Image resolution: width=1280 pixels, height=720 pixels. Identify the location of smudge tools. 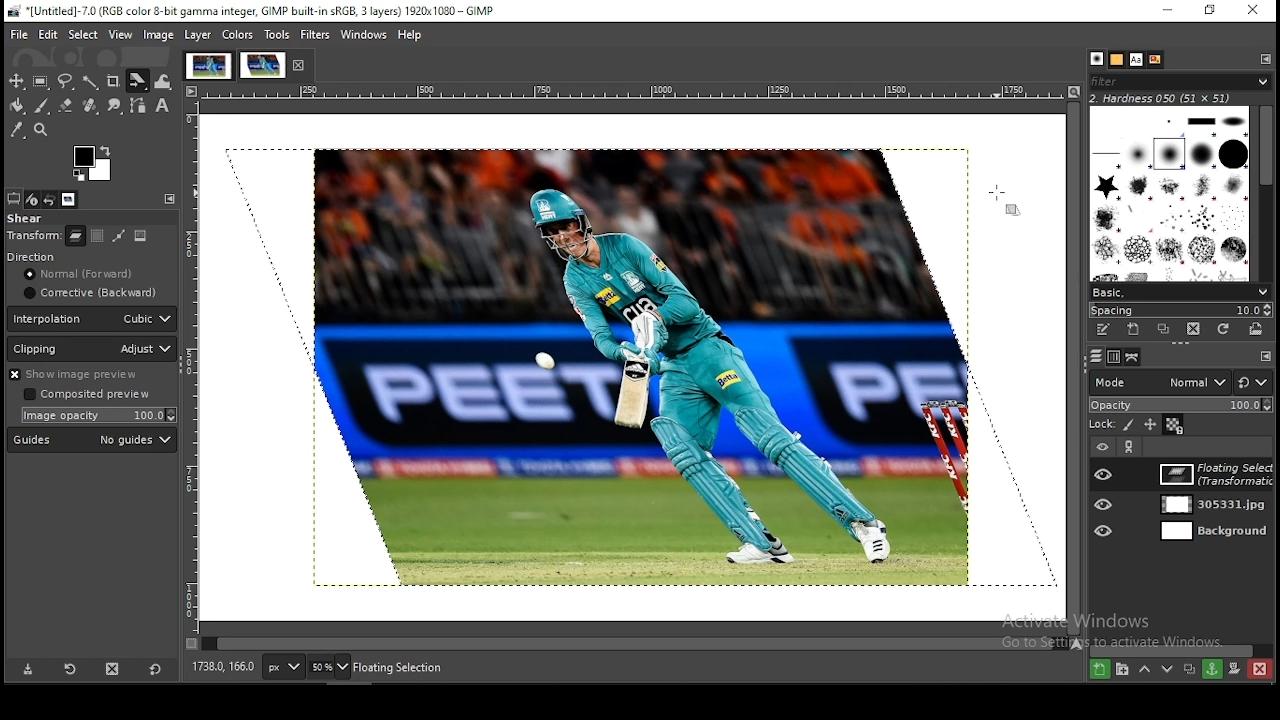
(113, 105).